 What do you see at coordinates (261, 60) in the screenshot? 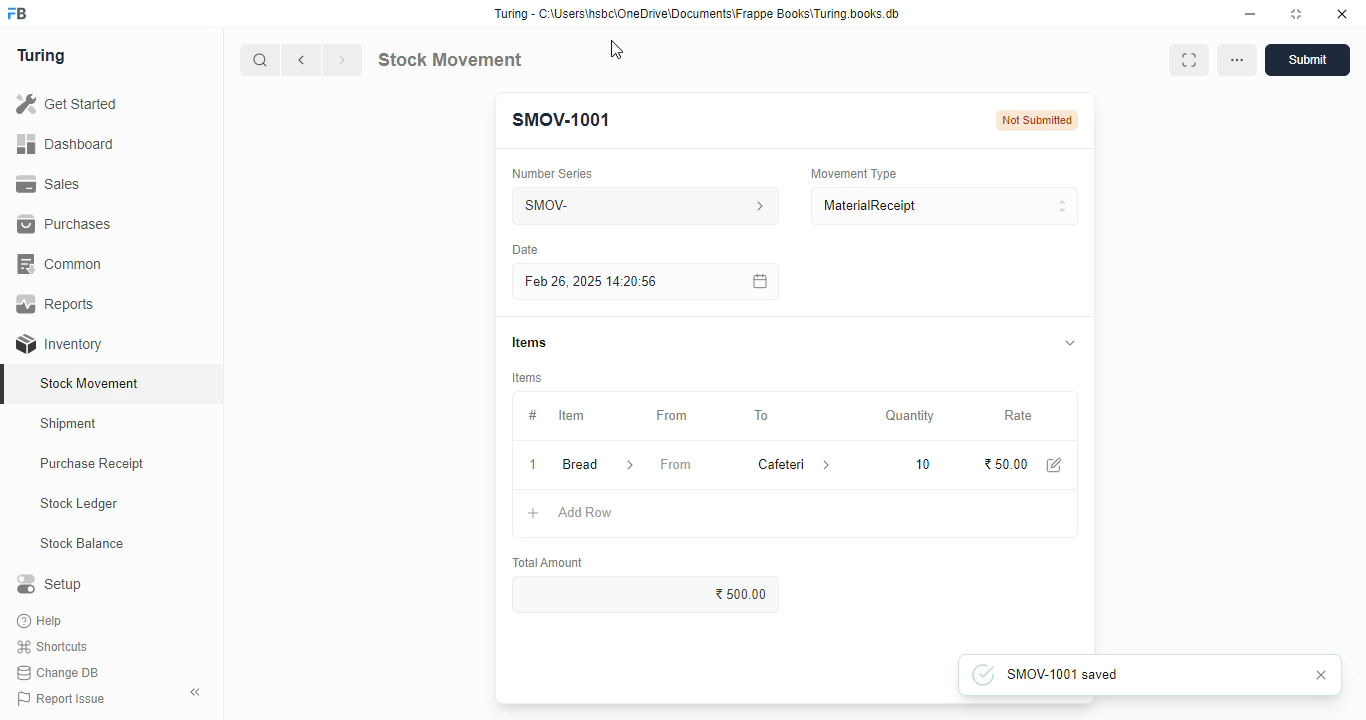
I see `search` at bounding box center [261, 60].